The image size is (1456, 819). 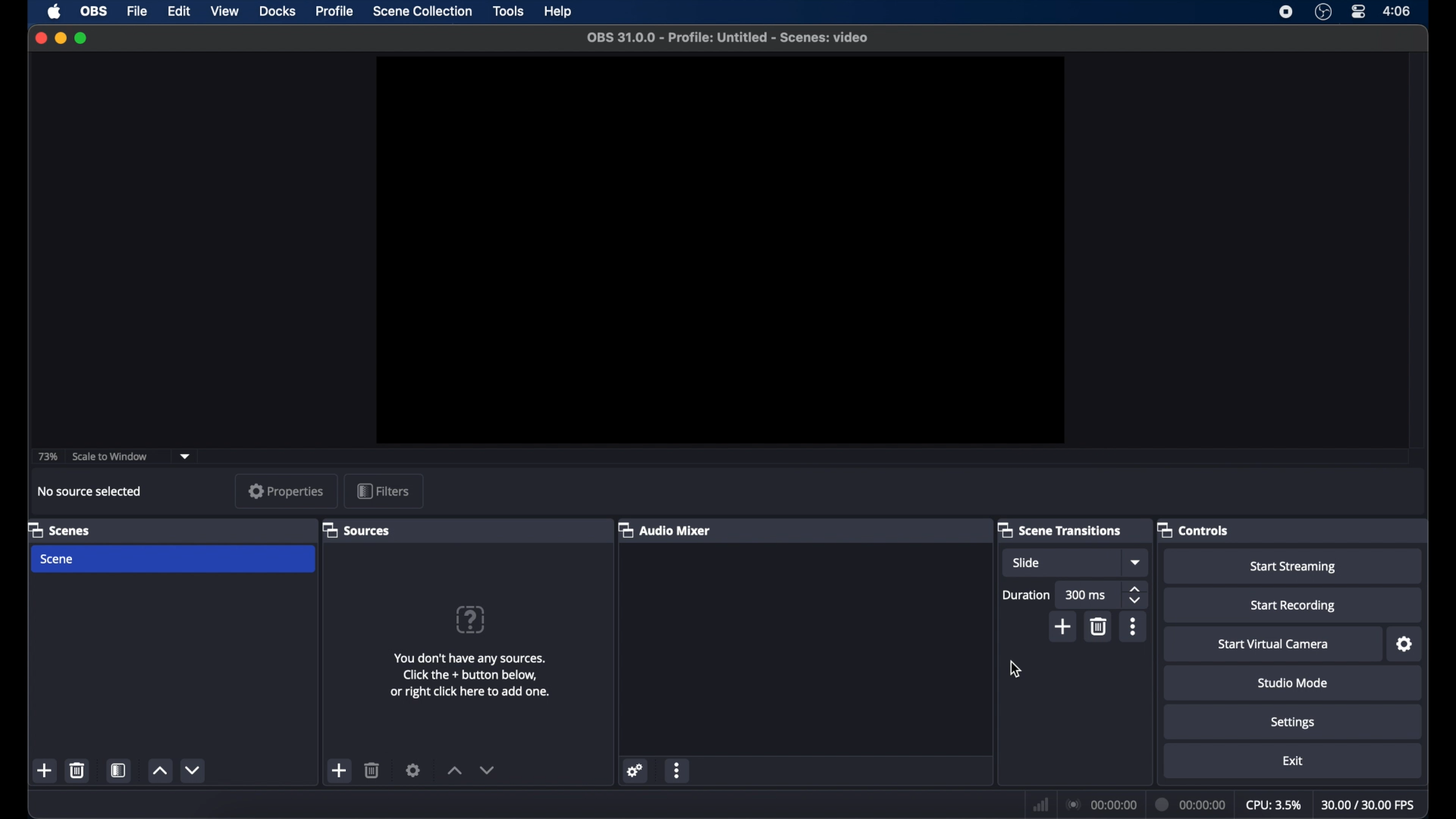 I want to click on duration, so click(x=1191, y=804).